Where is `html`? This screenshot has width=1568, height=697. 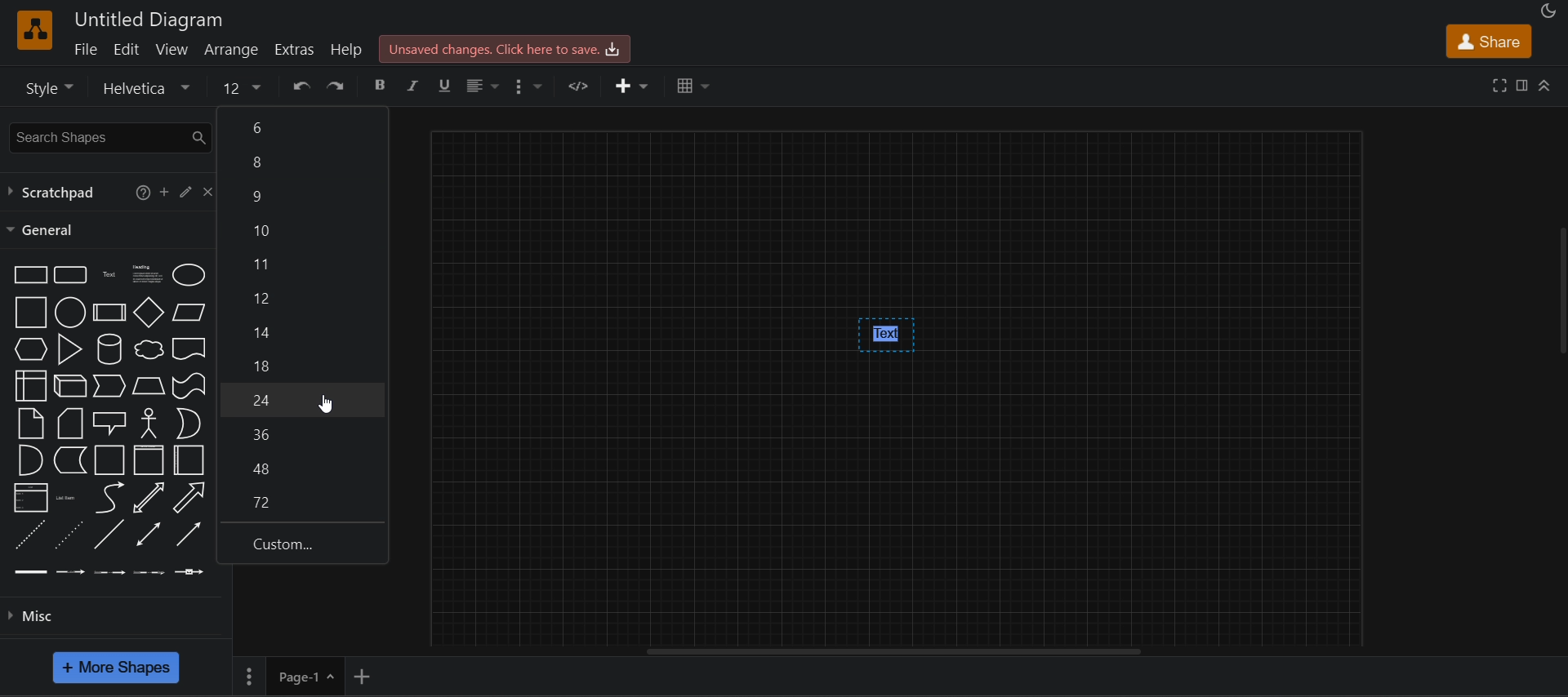
html is located at coordinates (581, 85).